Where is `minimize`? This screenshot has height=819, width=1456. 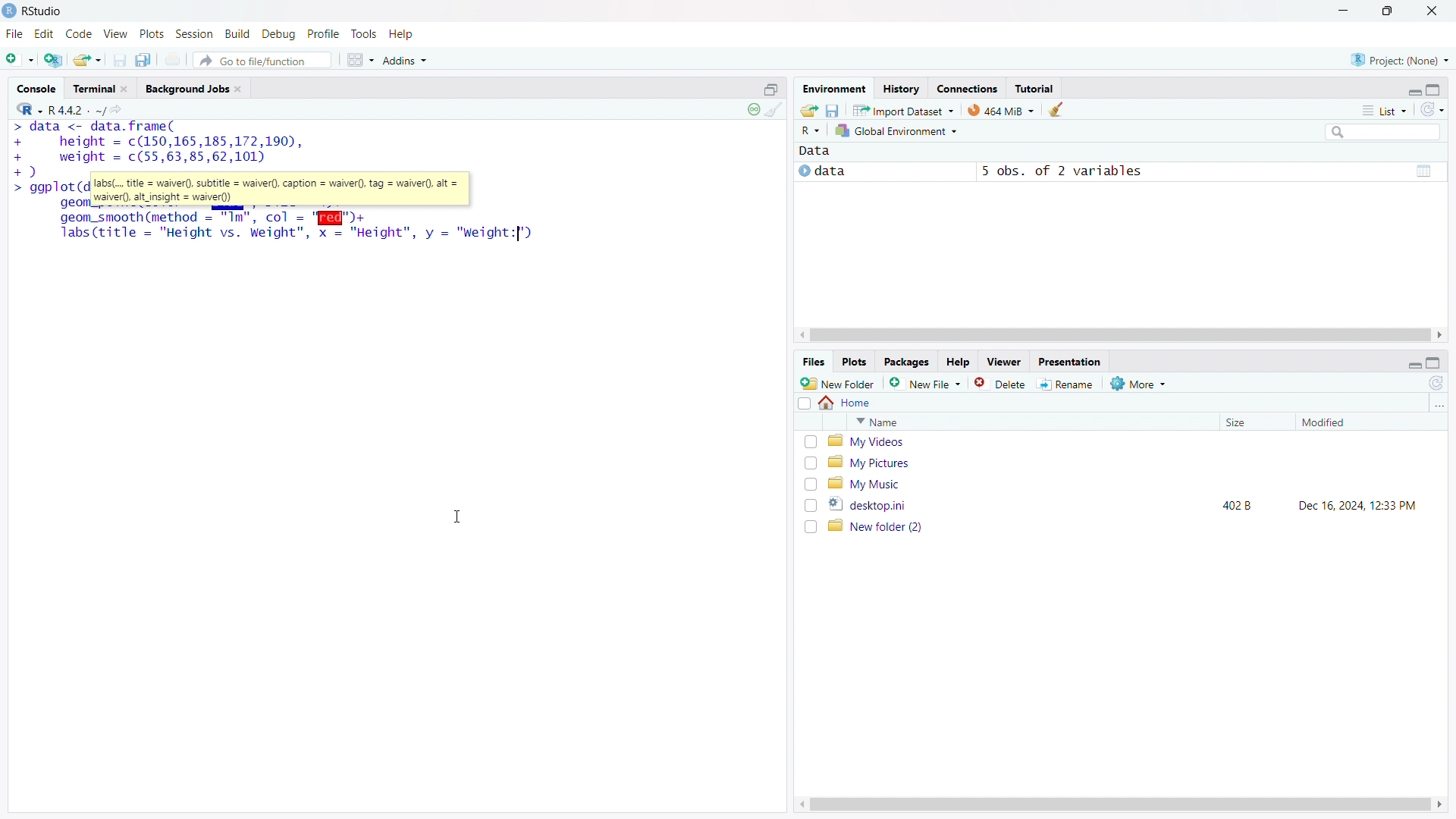 minimize is located at coordinates (1341, 11).